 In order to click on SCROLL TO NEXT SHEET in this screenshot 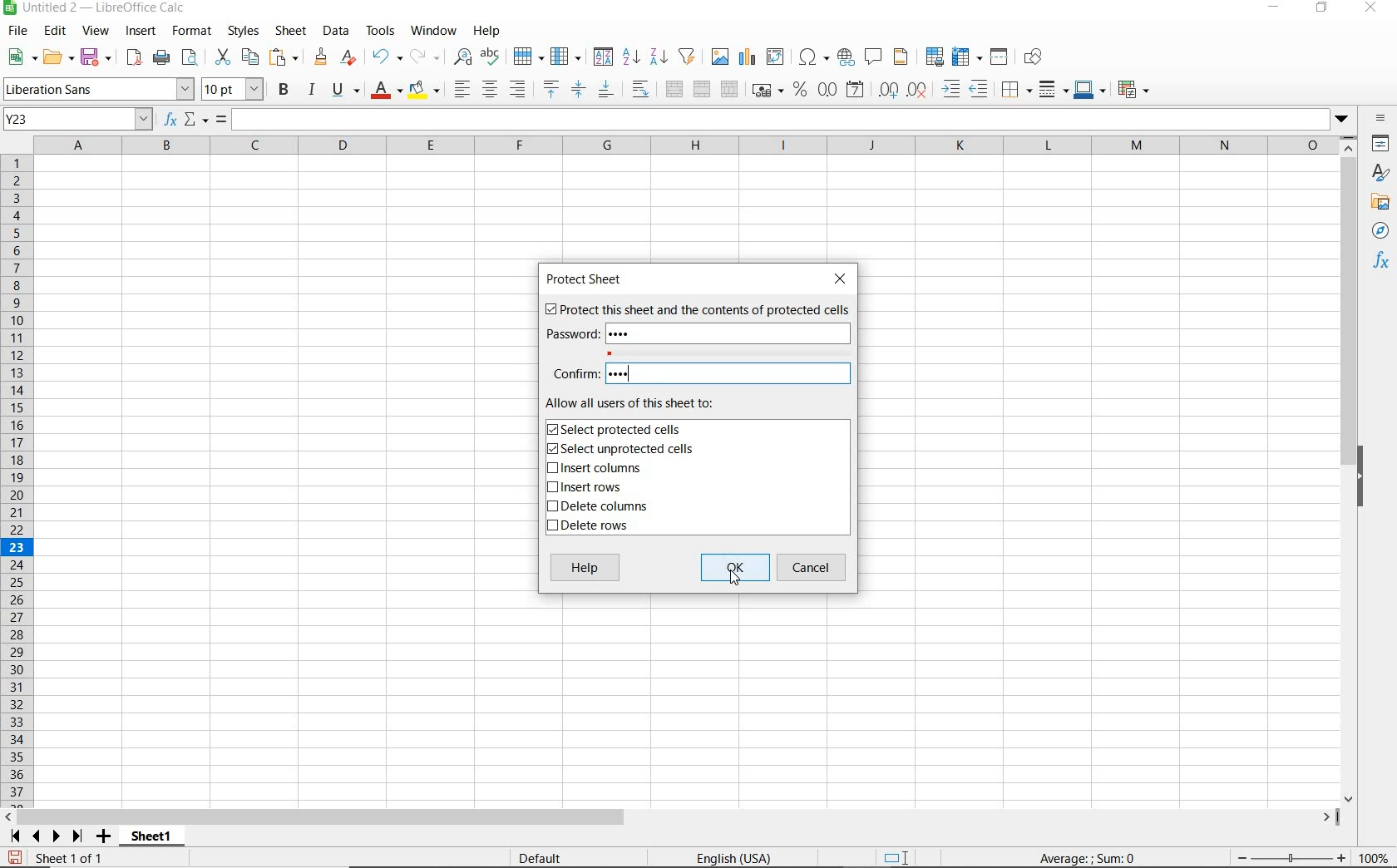, I will do `click(47, 836)`.